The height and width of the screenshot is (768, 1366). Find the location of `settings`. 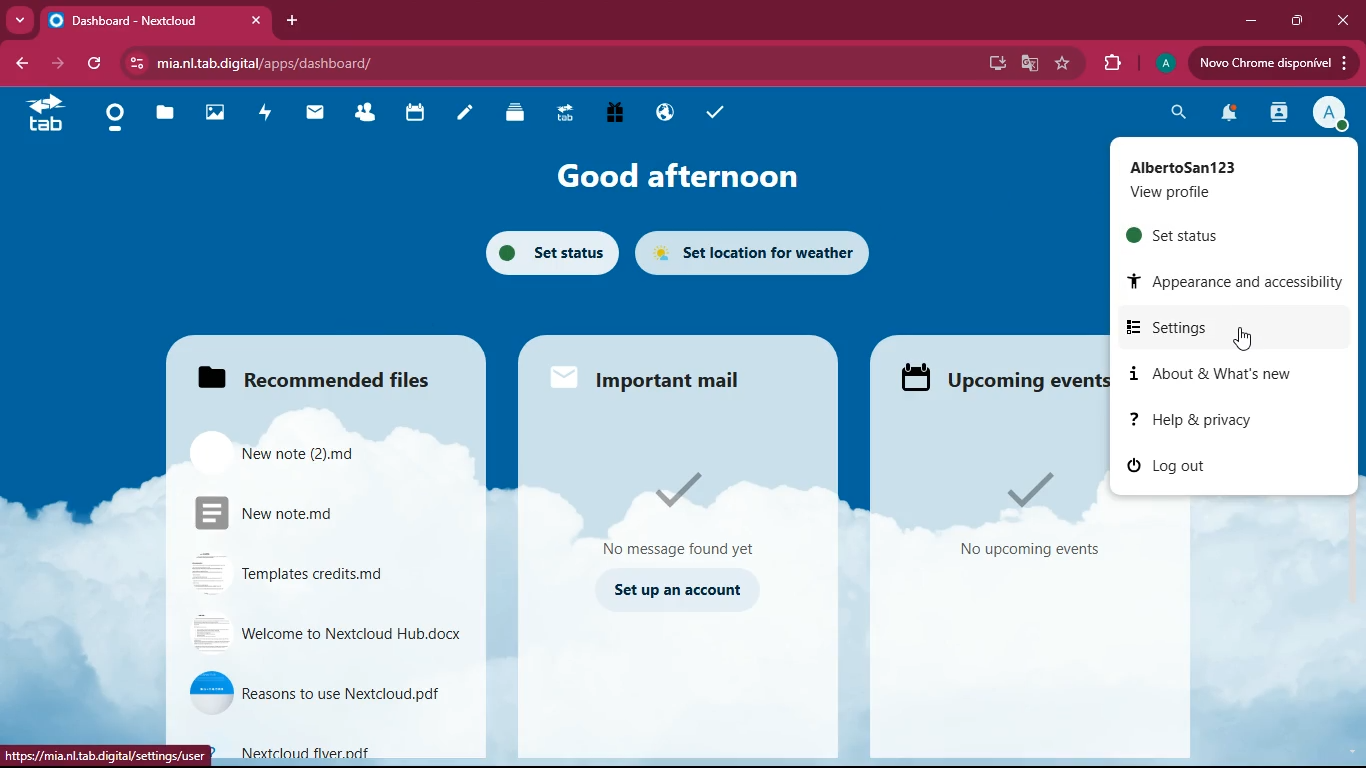

settings is located at coordinates (1217, 326).